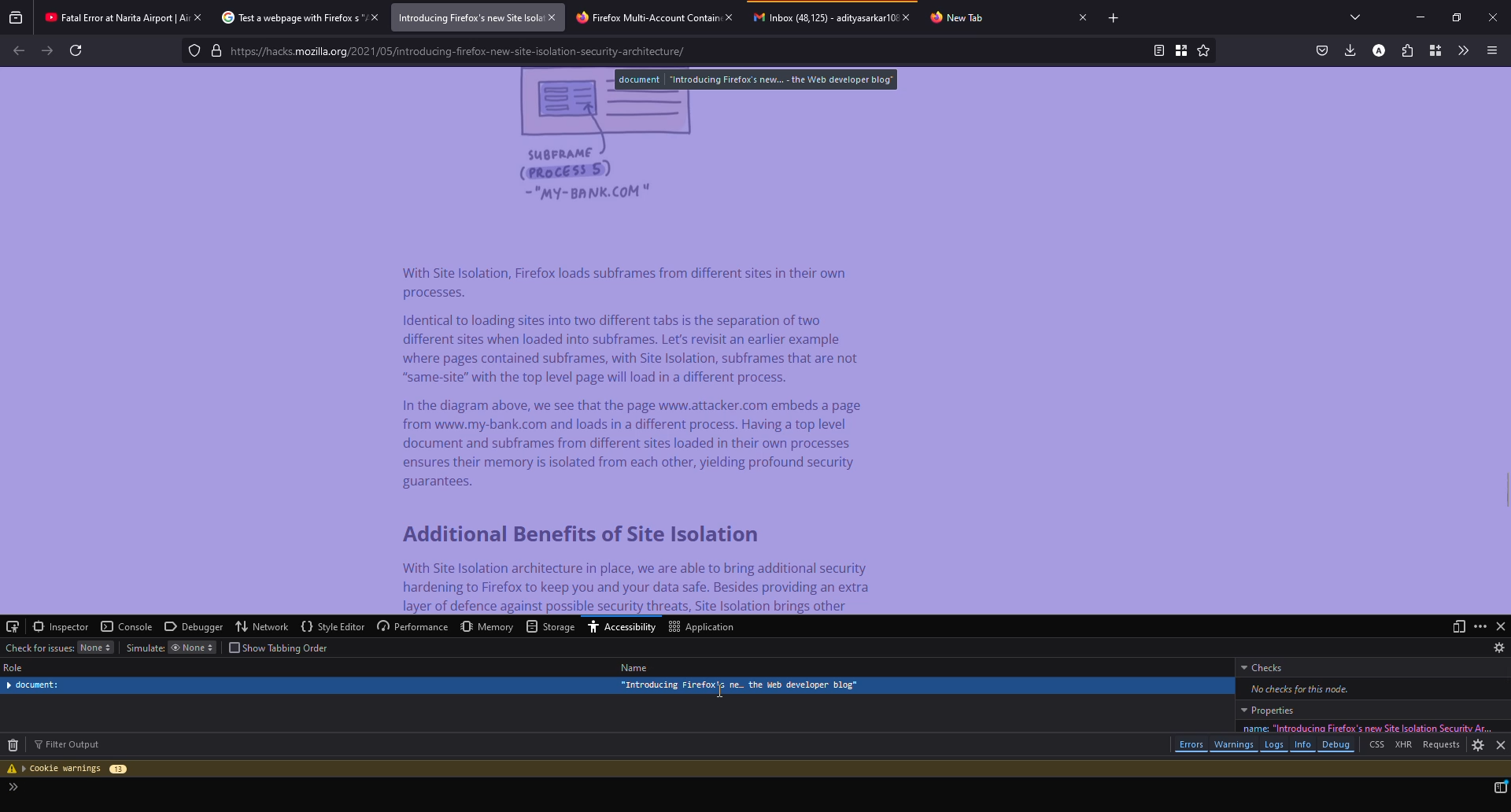  I want to click on bookmark, so click(1180, 50).